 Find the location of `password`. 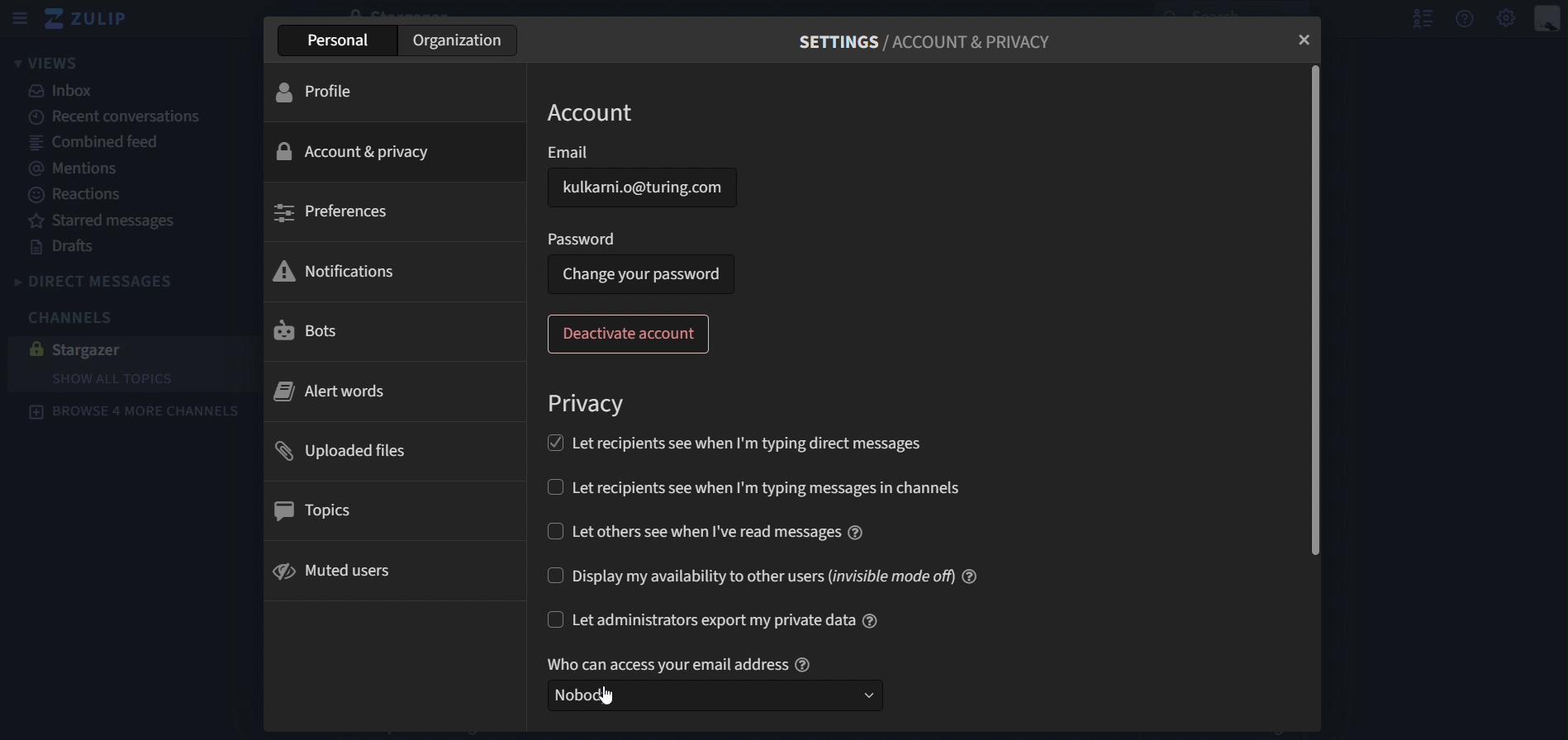

password is located at coordinates (584, 239).